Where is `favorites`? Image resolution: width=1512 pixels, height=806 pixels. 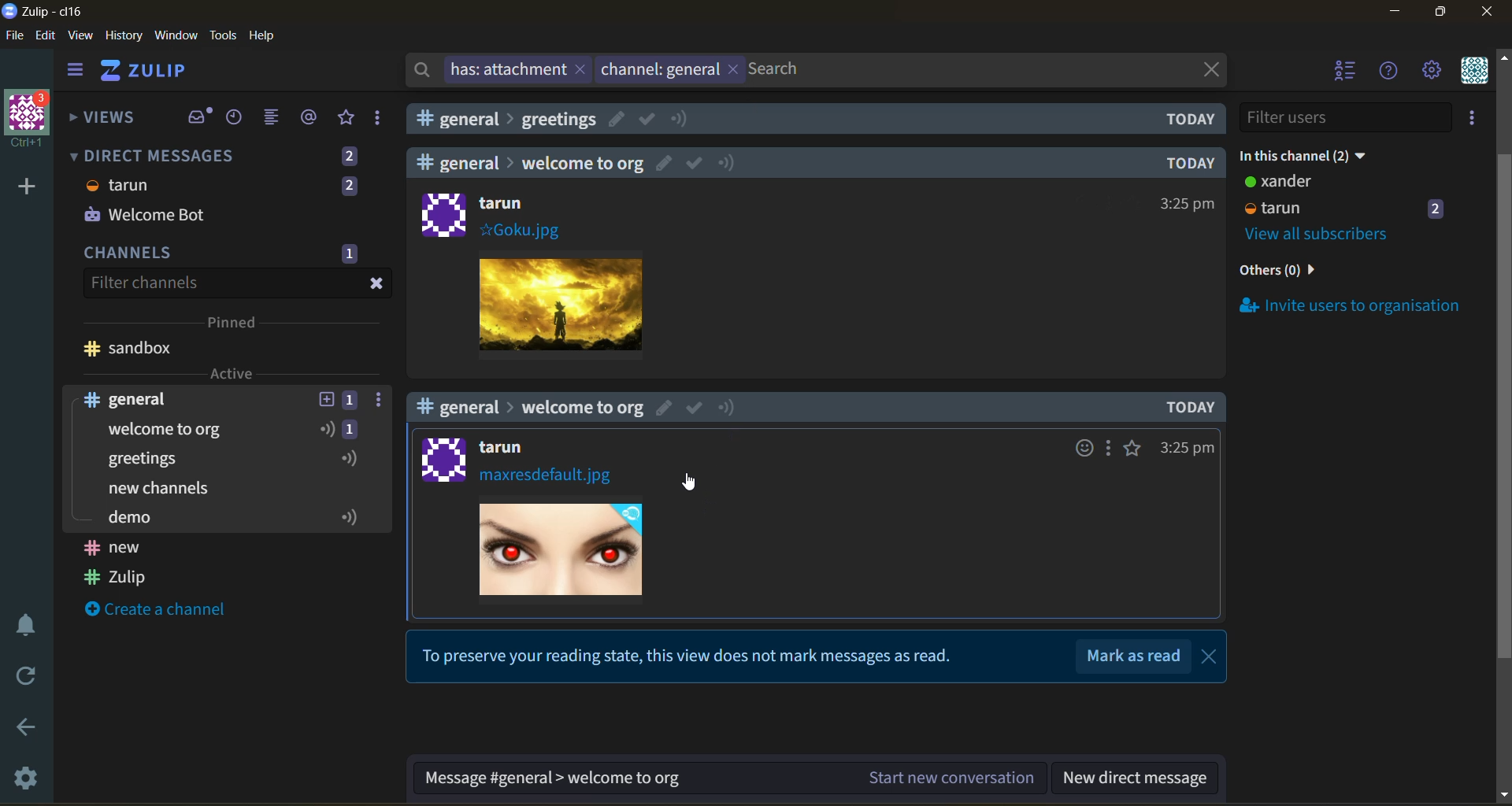
favorites is located at coordinates (348, 118).